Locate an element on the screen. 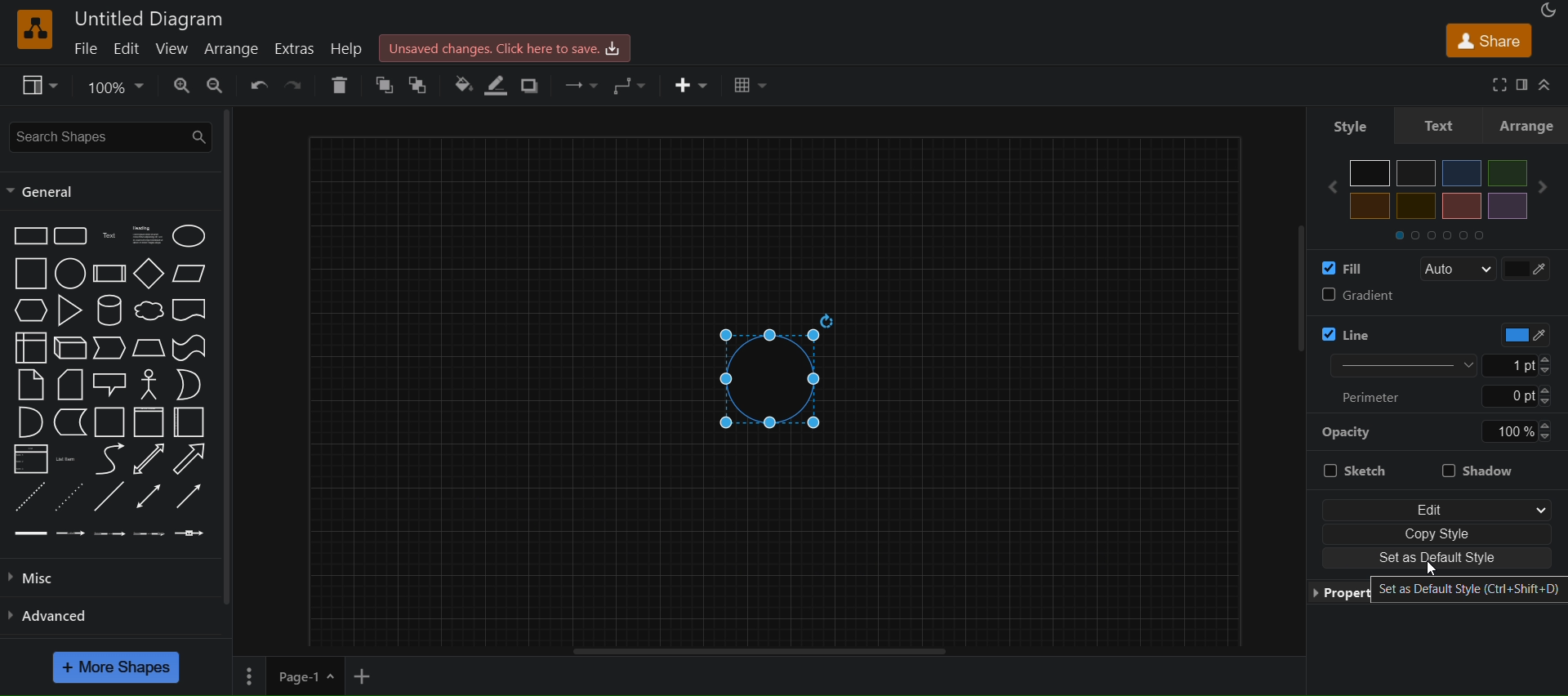  line color is located at coordinates (501, 85).